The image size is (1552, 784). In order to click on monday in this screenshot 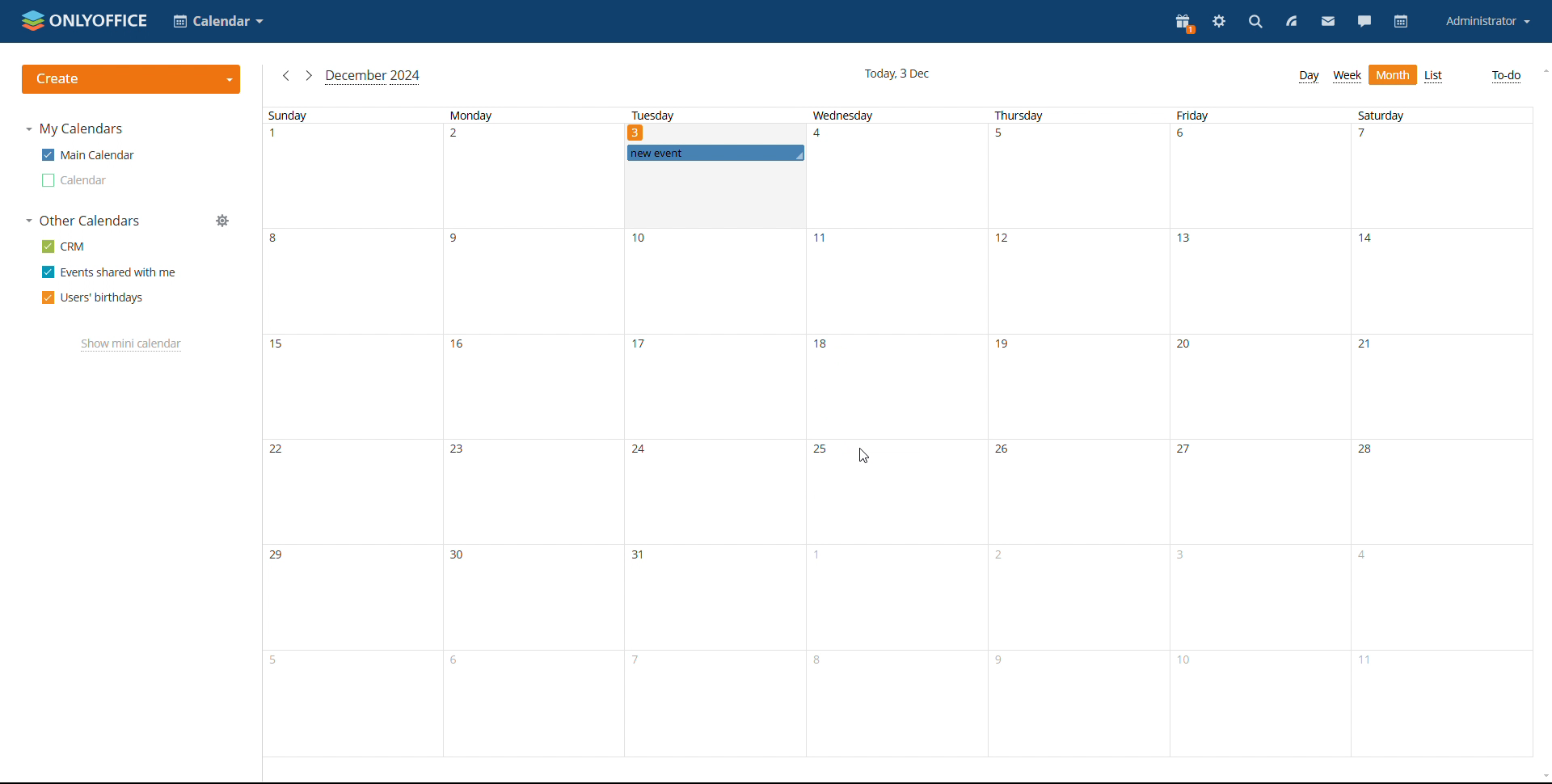, I will do `click(528, 432)`.